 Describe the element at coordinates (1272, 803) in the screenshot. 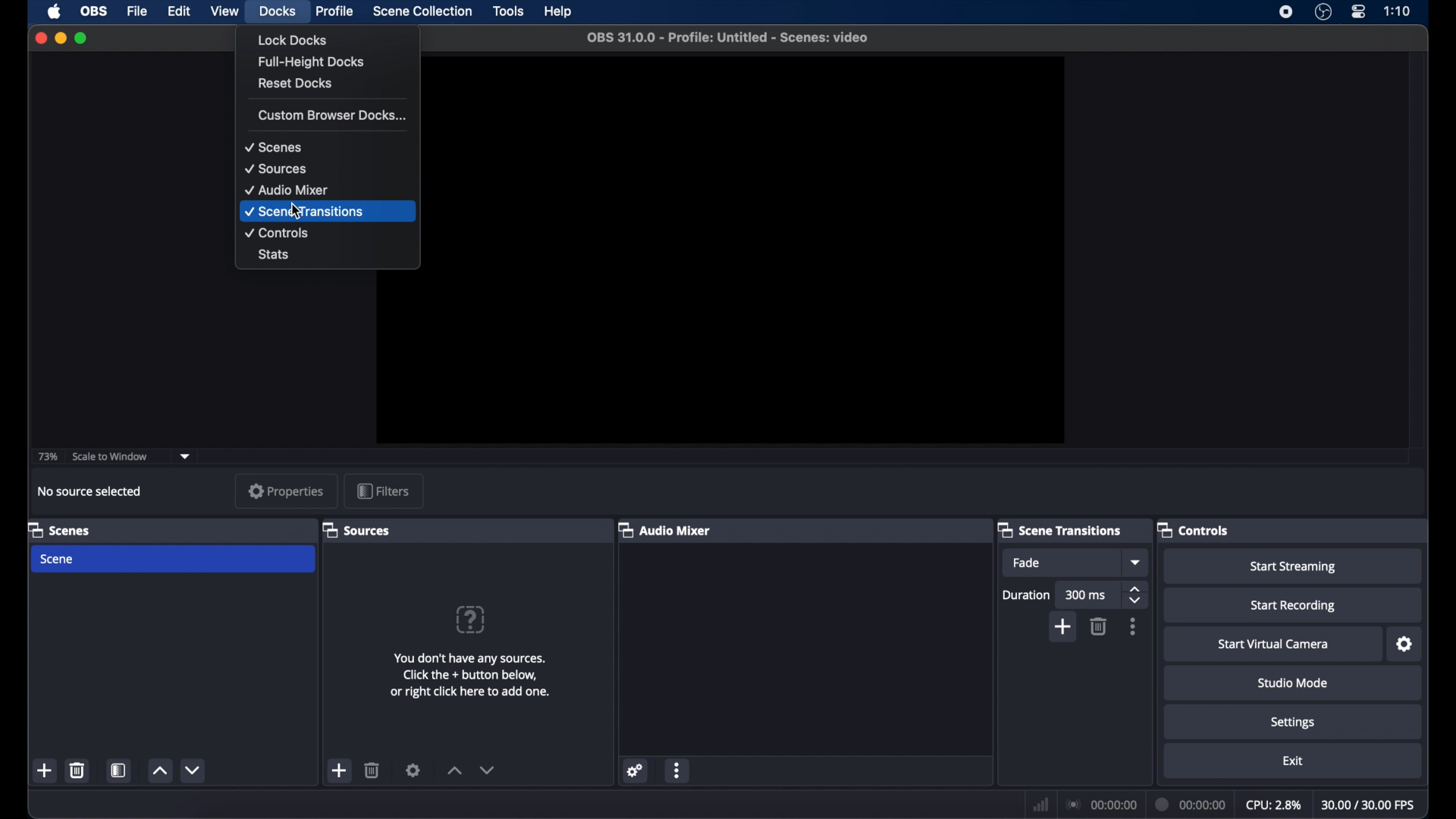

I see `cpu` at that location.